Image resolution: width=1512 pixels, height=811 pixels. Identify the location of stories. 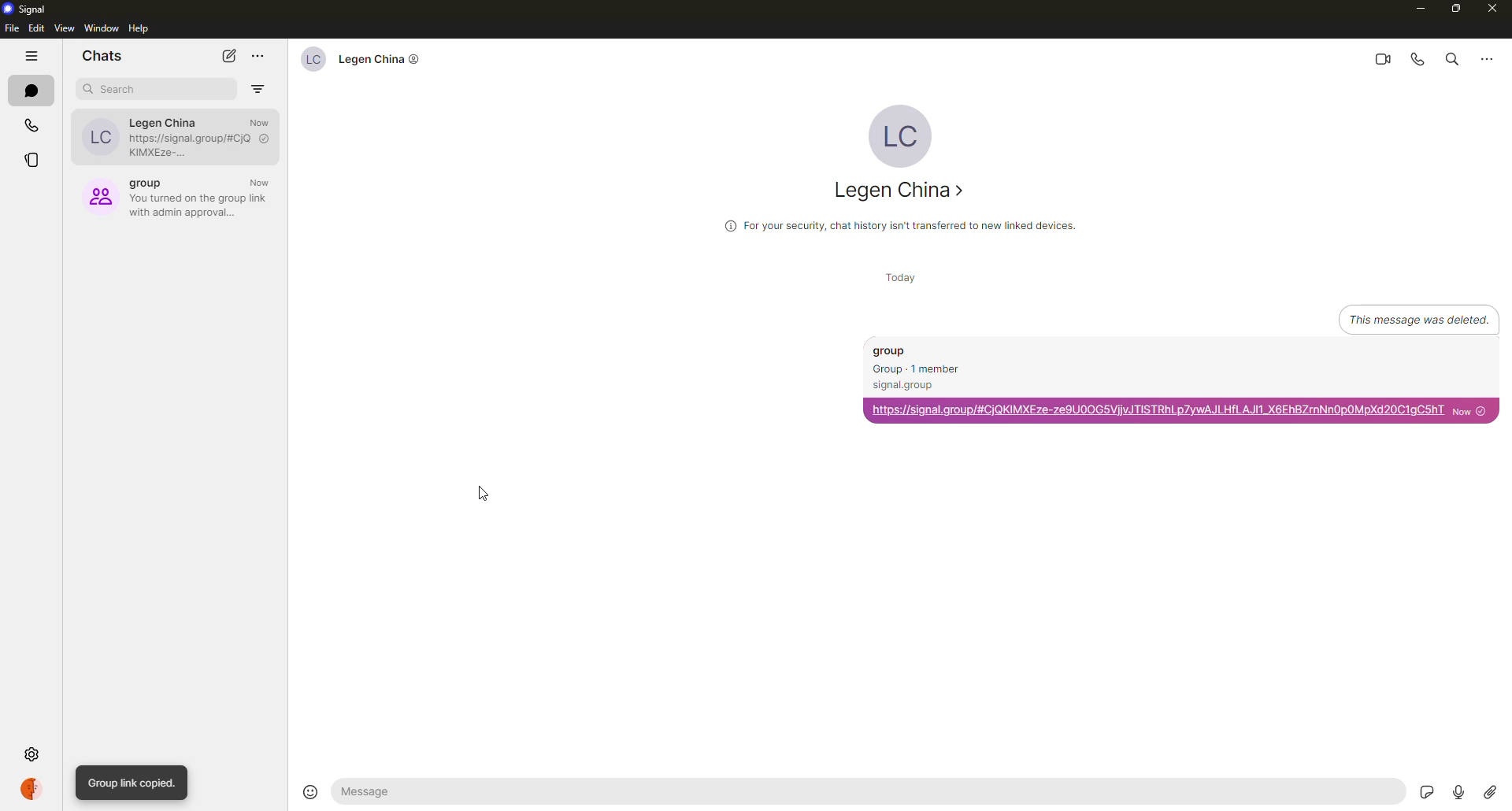
(31, 162).